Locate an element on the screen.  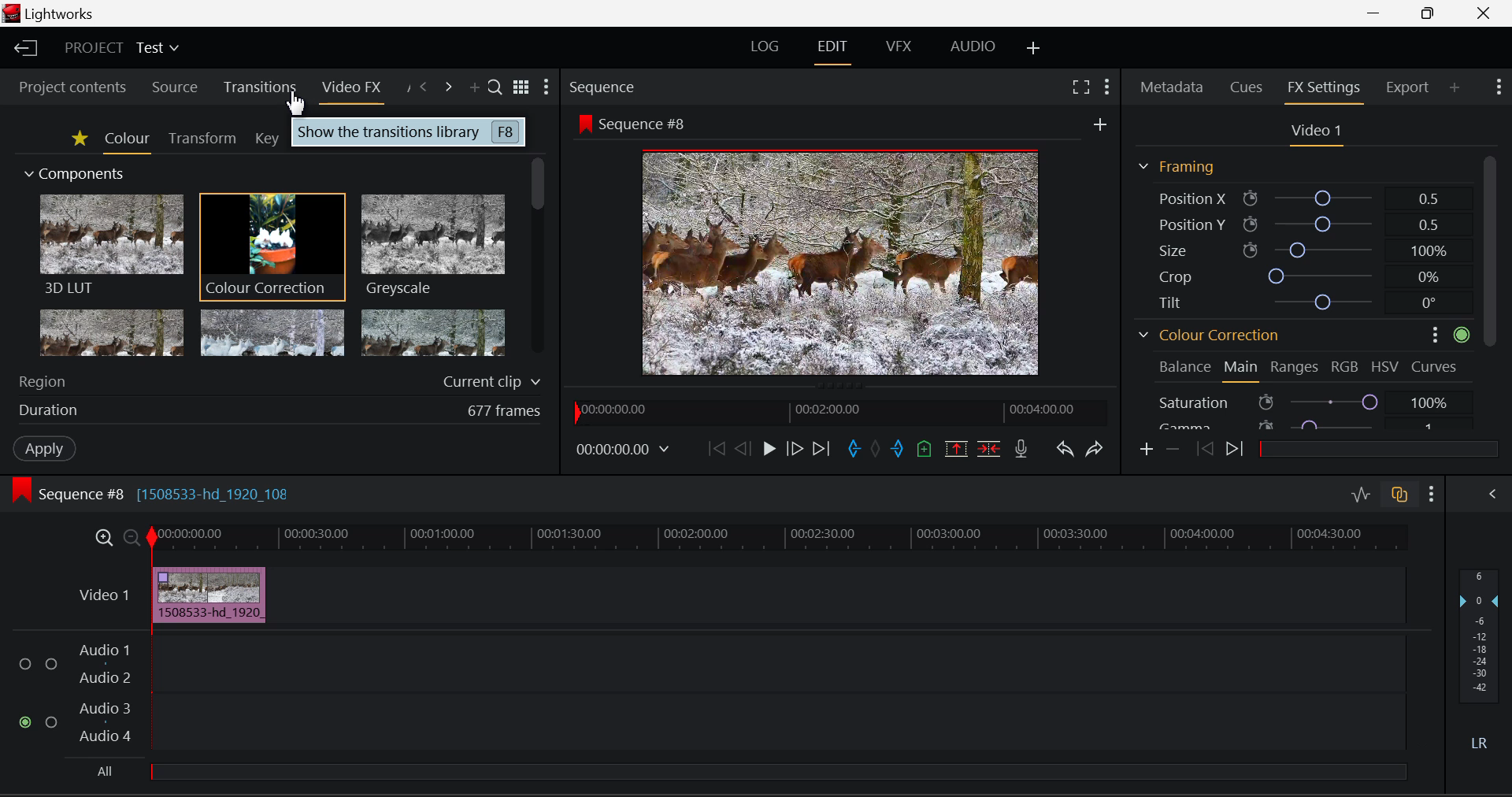
Video Settings is located at coordinates (1314, 132).